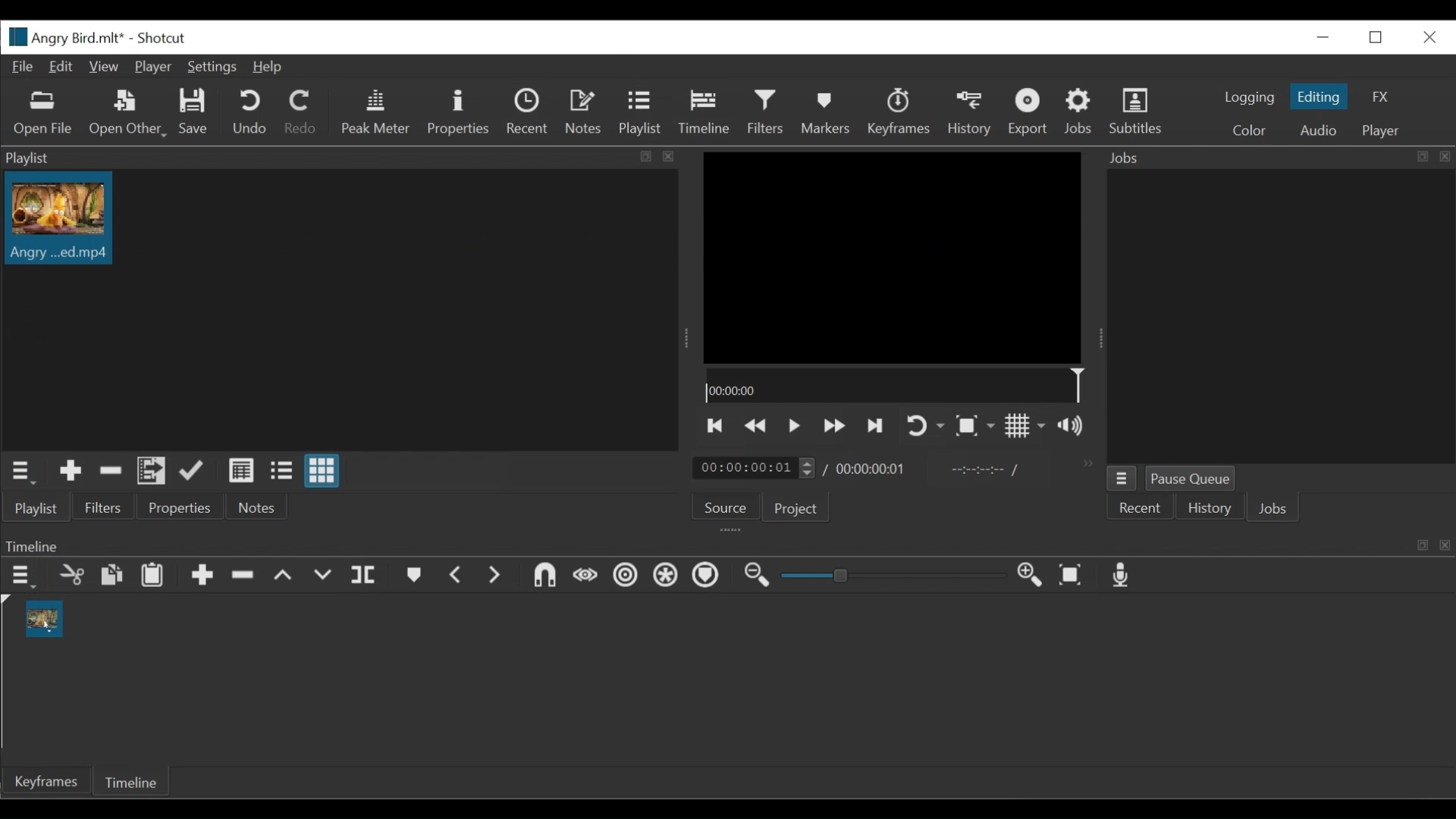 The image size is (1456, 819). I want to click on Skip to the previous point, so click(715, 425).